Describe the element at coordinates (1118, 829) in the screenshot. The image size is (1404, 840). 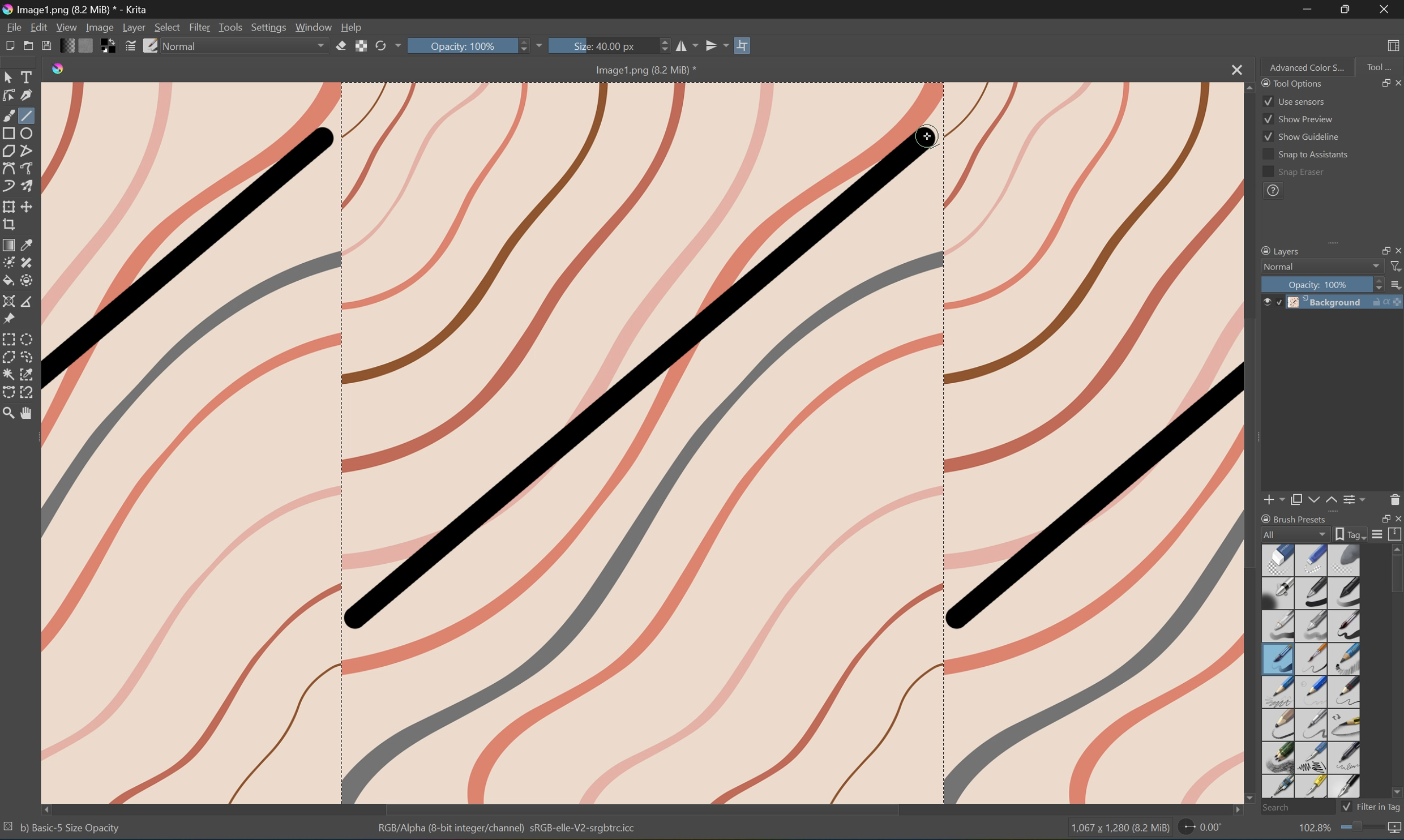
I see `1,067 * 1,280 (3.2 MB)` at that location.